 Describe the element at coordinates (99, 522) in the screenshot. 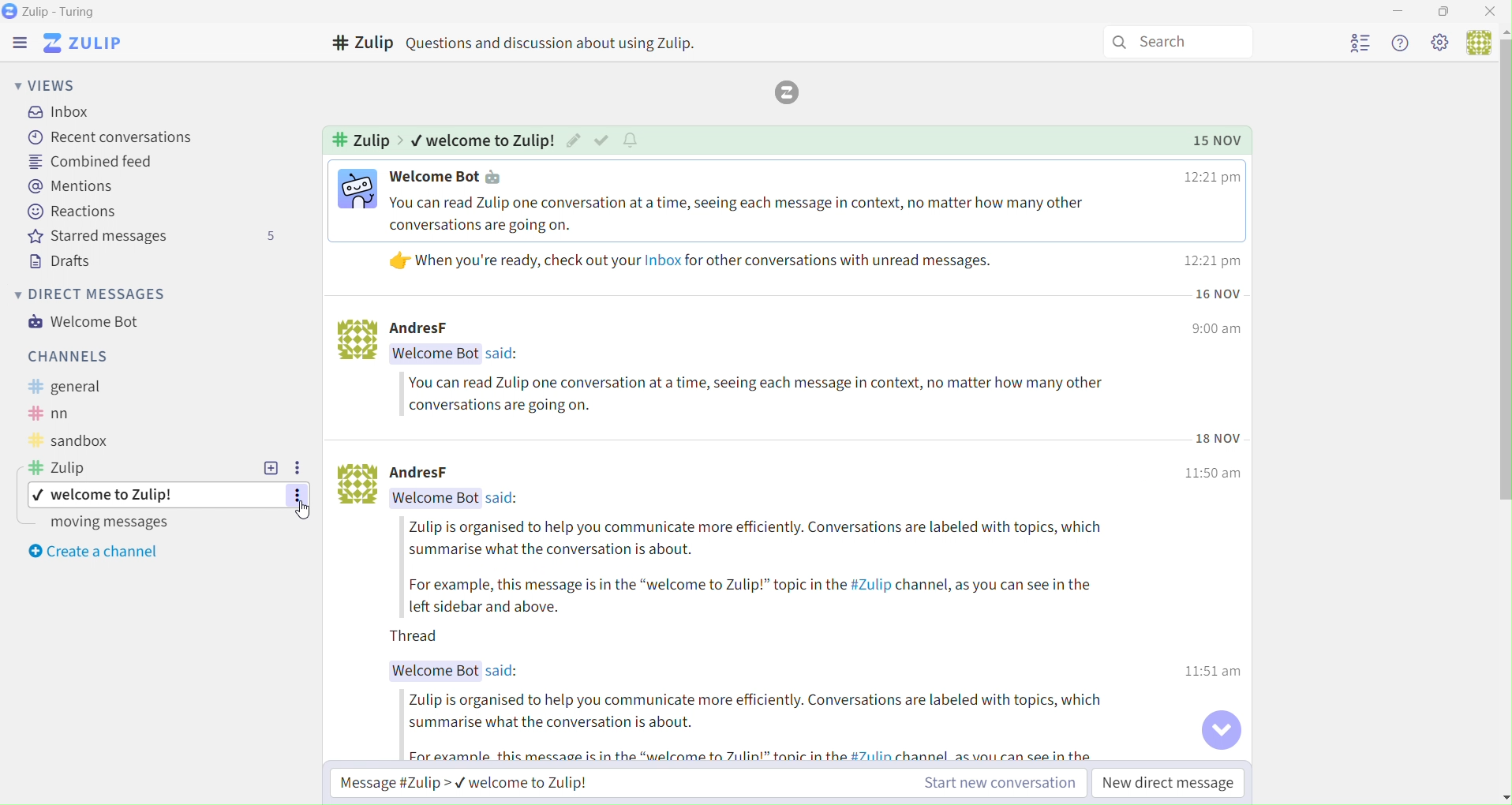

I see `Moving messages` at that location.